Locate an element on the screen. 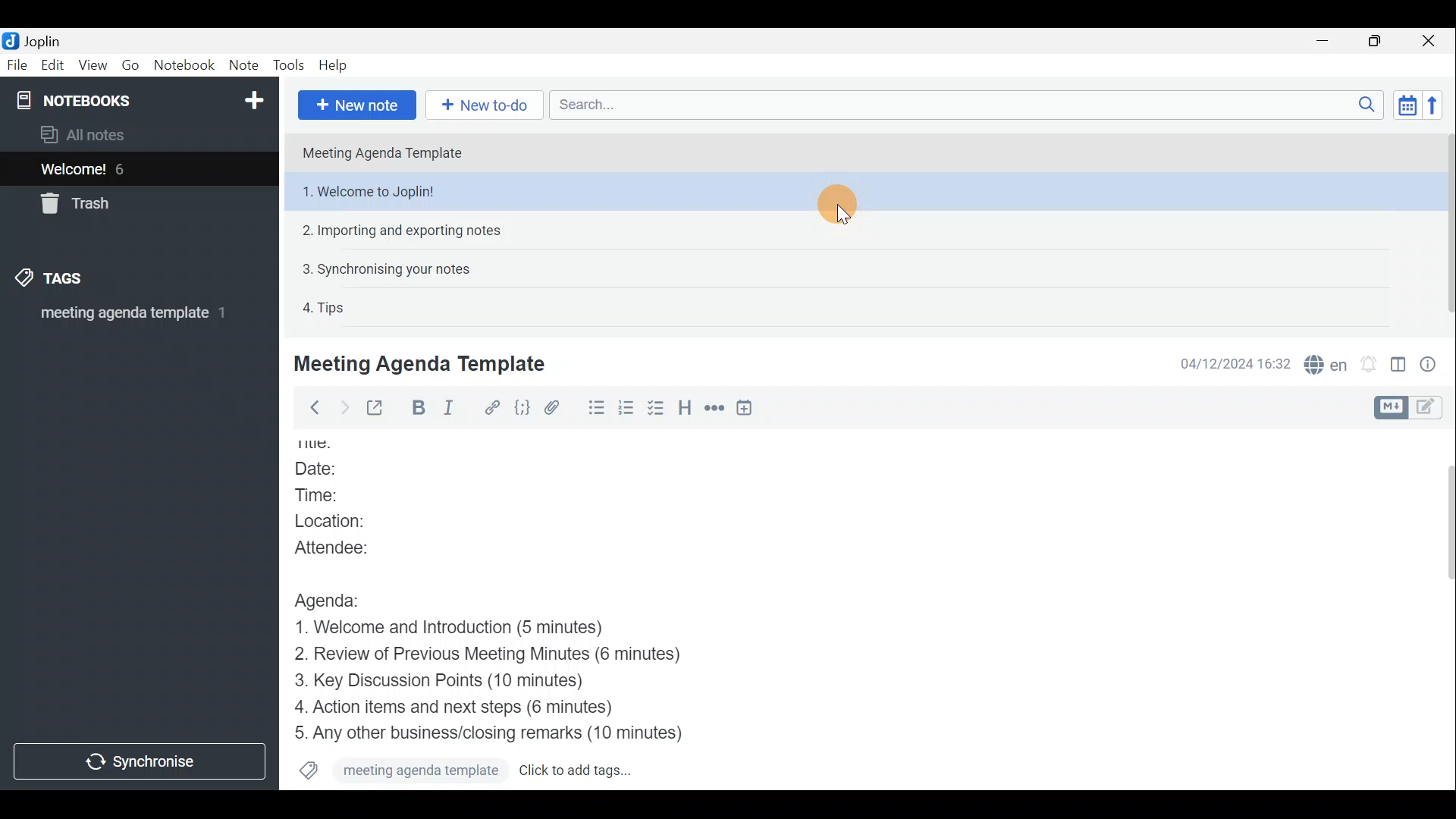  Bulleted list is located at coordinates (595, 408).